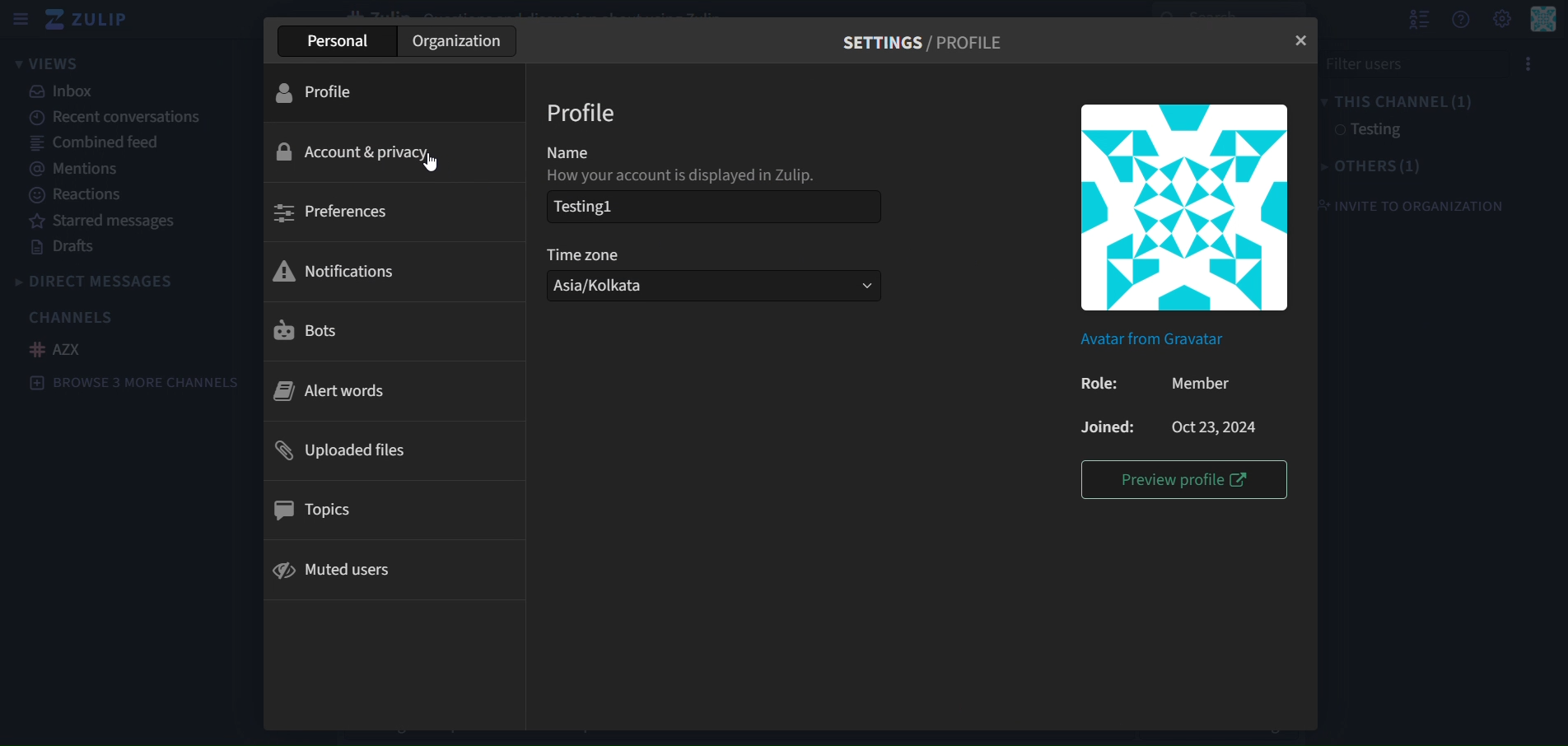 The image size is (1568, 746). I want to click on preview profile, so click(1181, 477).